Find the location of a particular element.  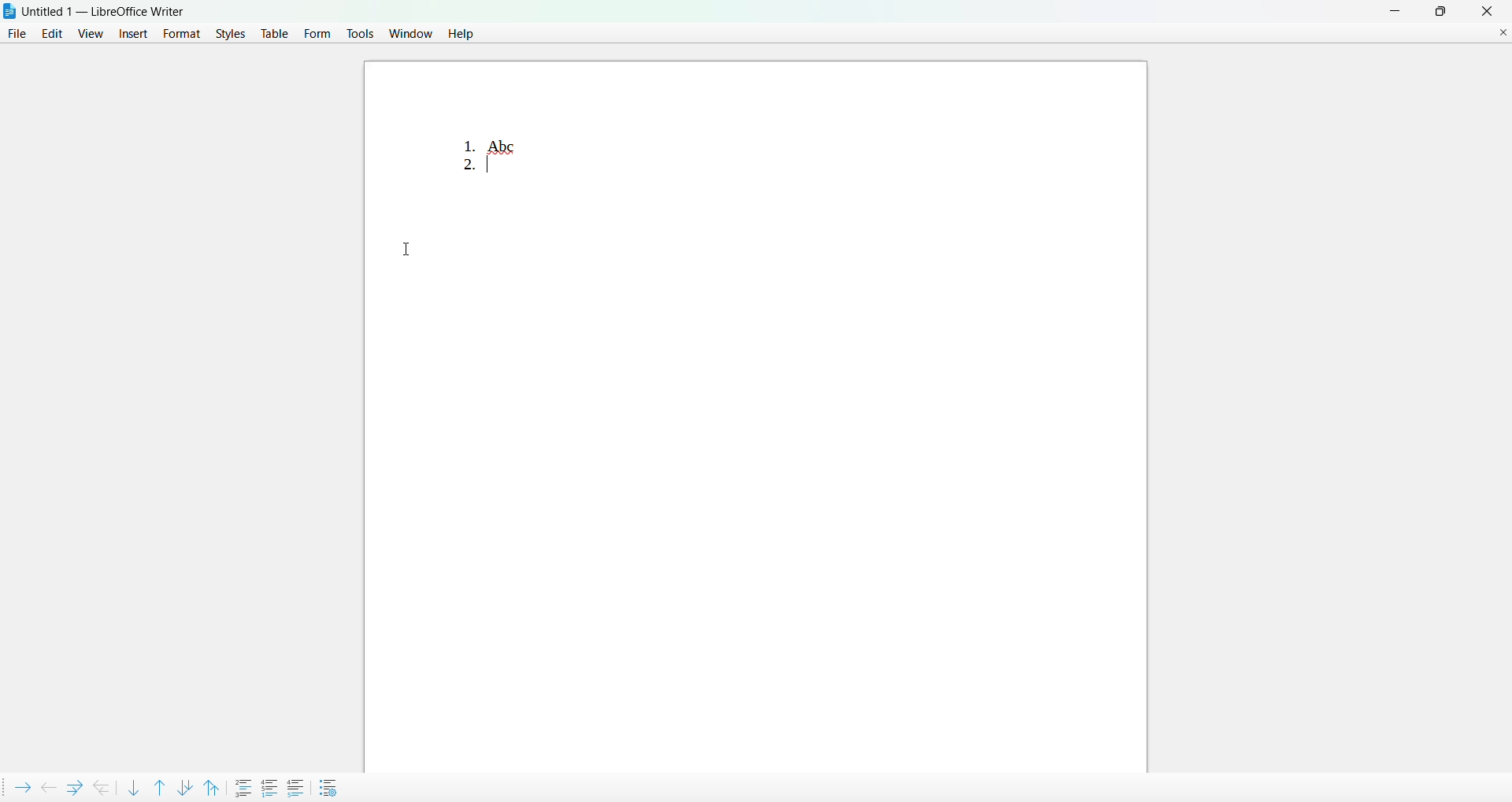

format is located at coordinates (178, 33).